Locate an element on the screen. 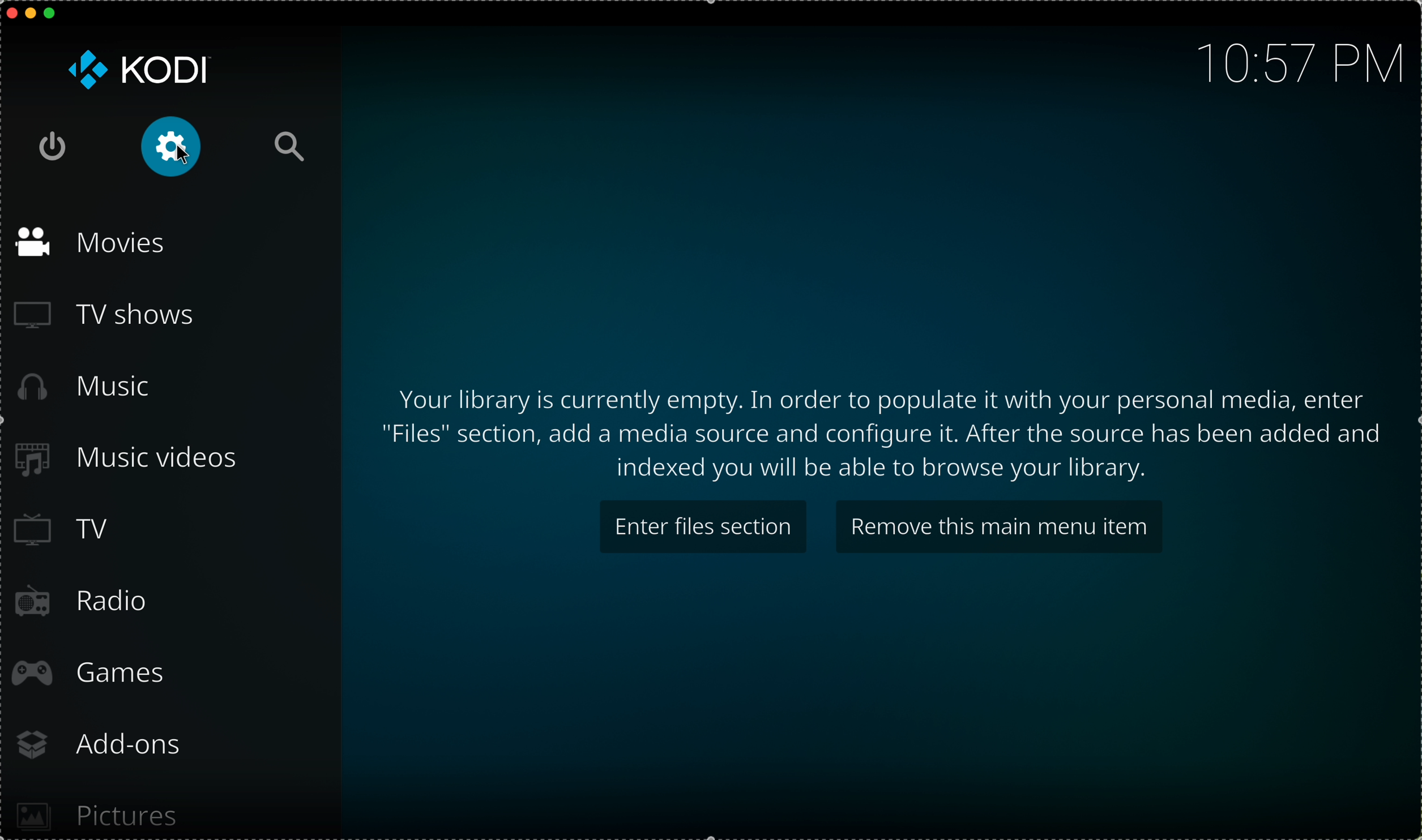  minimize  is located at coordinates (31, 16).